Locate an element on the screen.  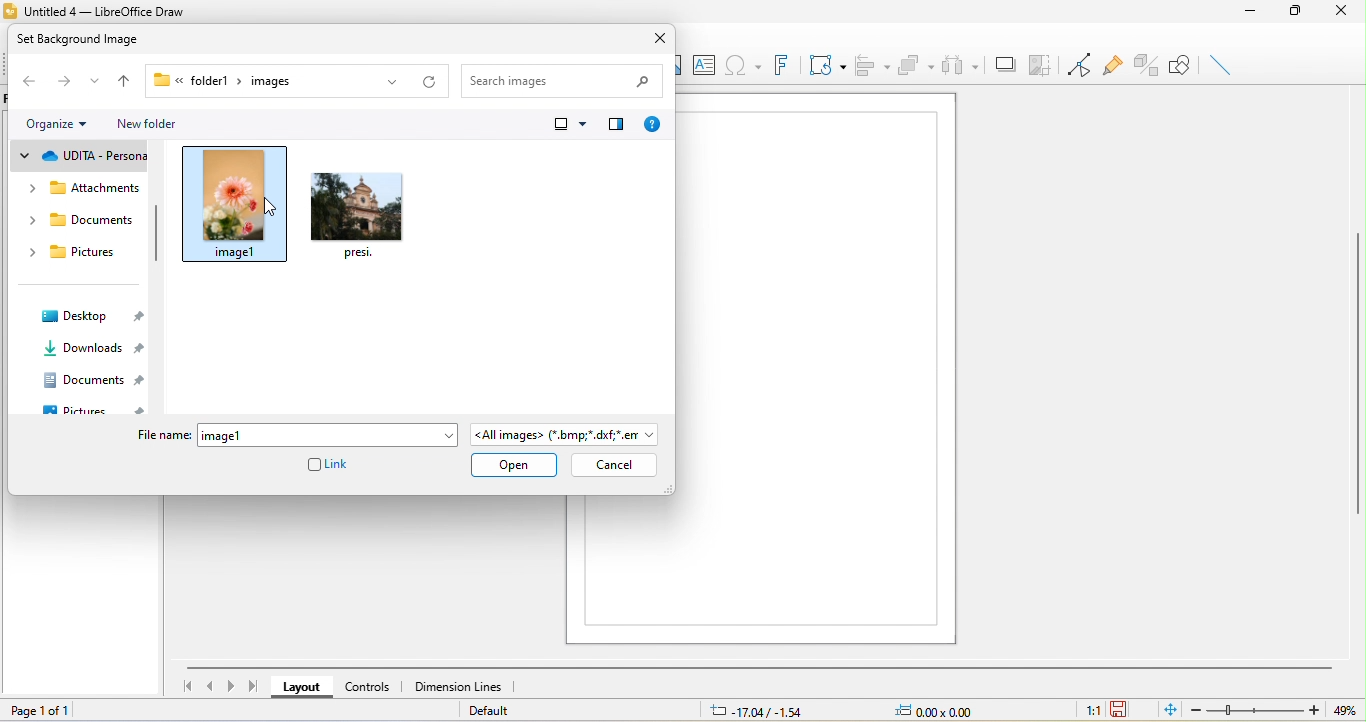
shadow is located at coordinates (1005, 63).